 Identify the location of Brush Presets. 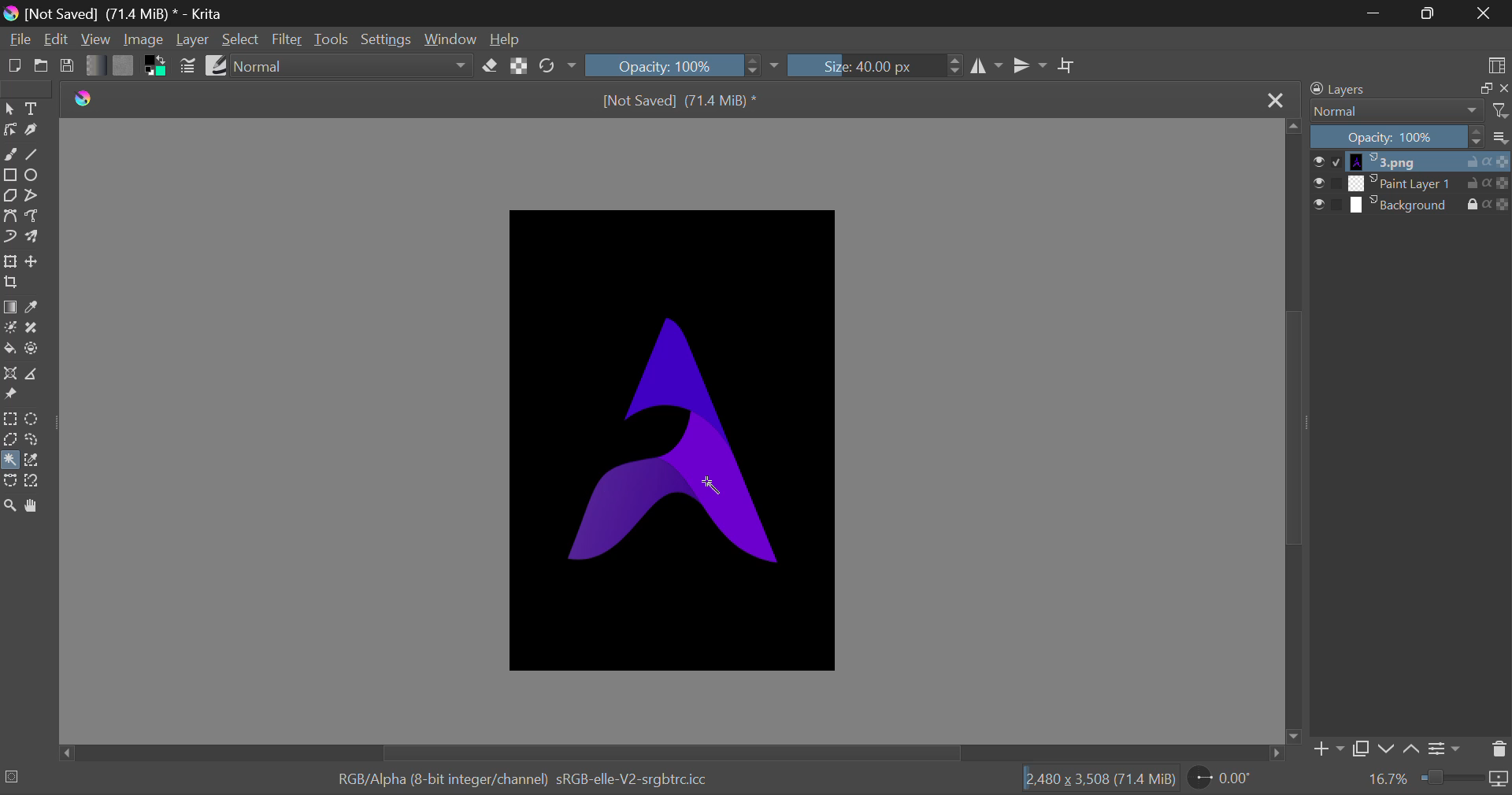
(216, 65).